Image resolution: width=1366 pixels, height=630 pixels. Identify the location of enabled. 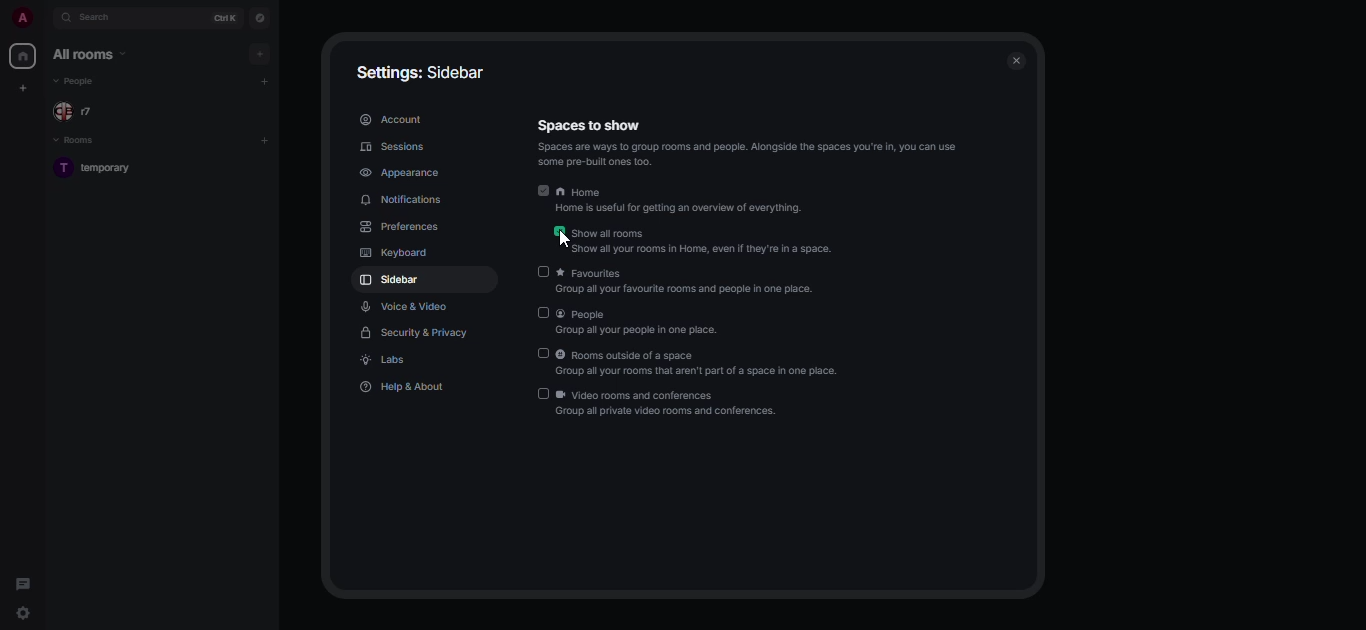
(557, 231).